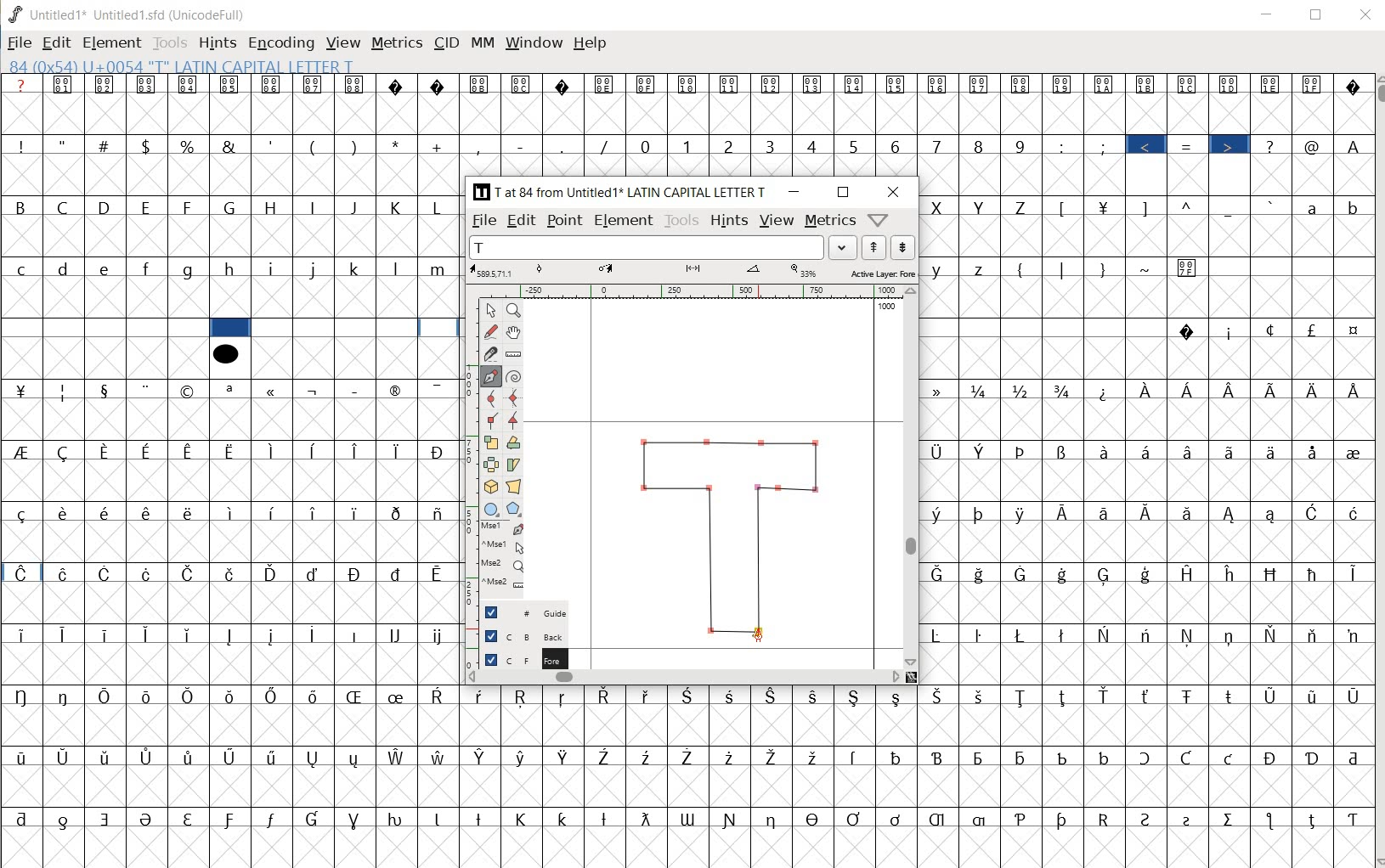 This screenshot has height=868, width=1385. What do you see at coordinates (1314, 819) in the screenshot?
I see `Symbol` at bounding box center [1314, 819].